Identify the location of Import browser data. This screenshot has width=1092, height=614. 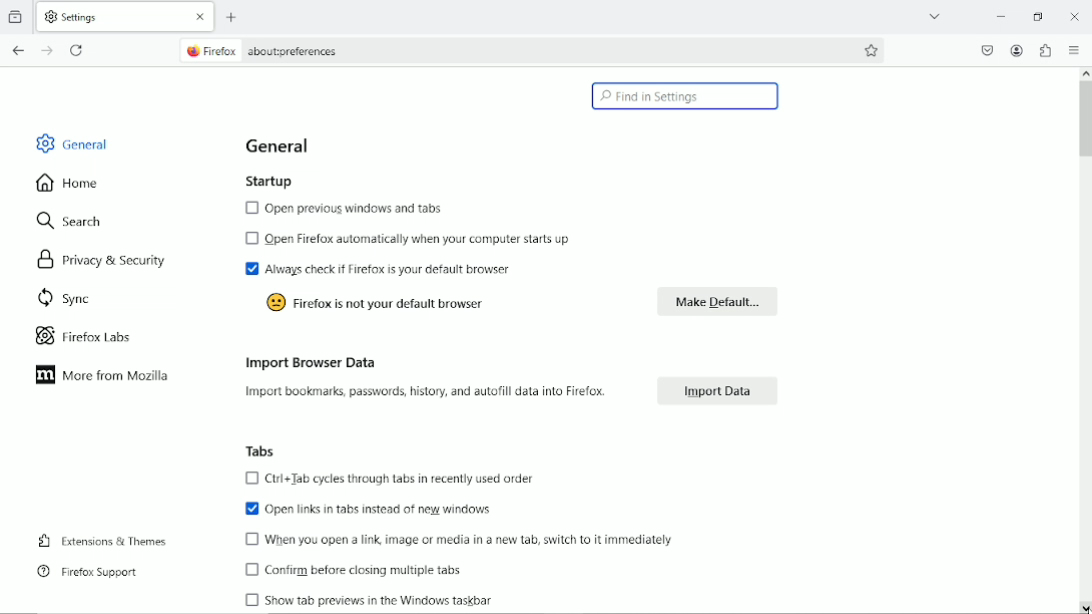
(311, 361).